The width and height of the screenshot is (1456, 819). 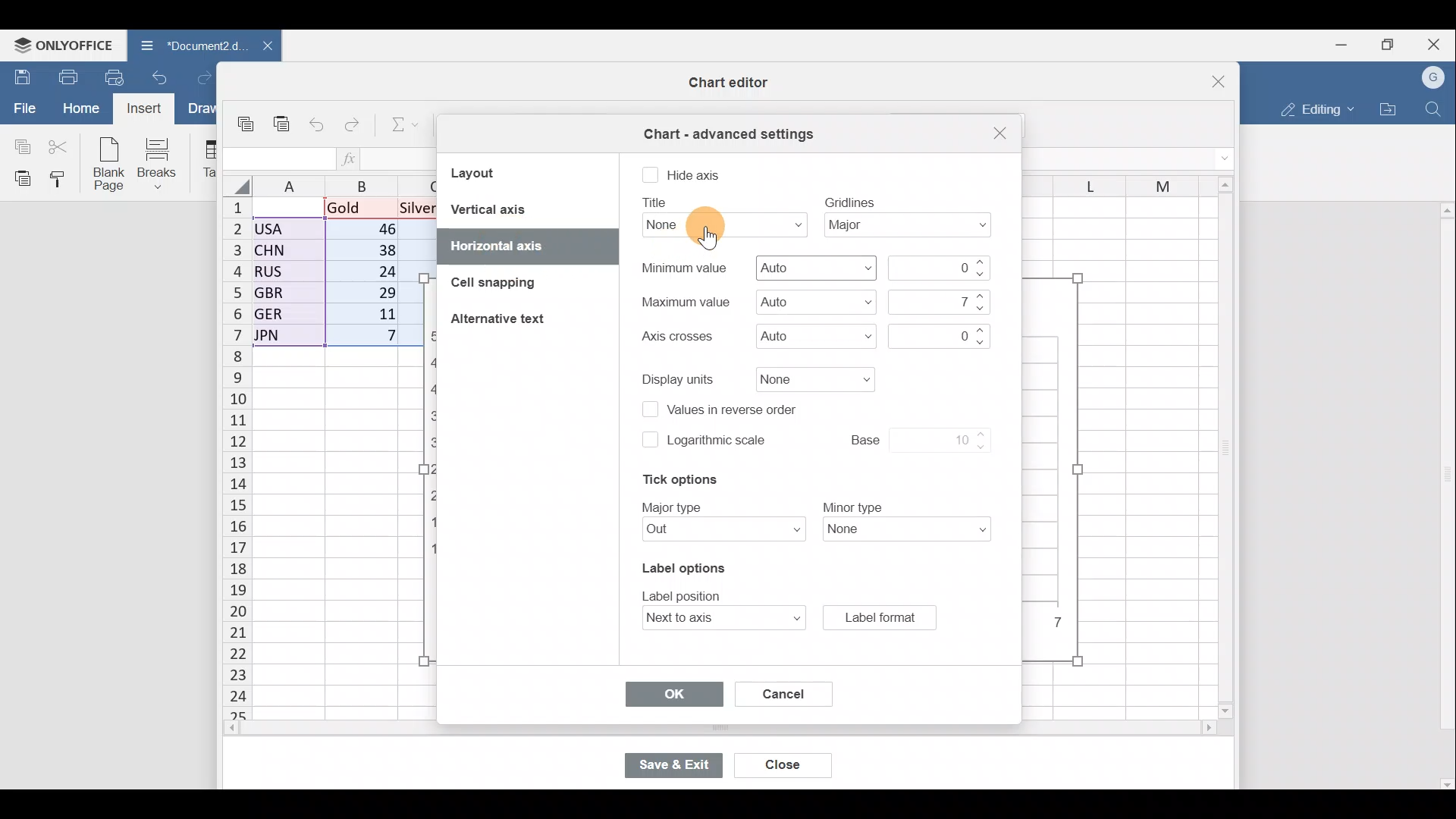 I want to click on Minimum value, so click(x=943, y=268).